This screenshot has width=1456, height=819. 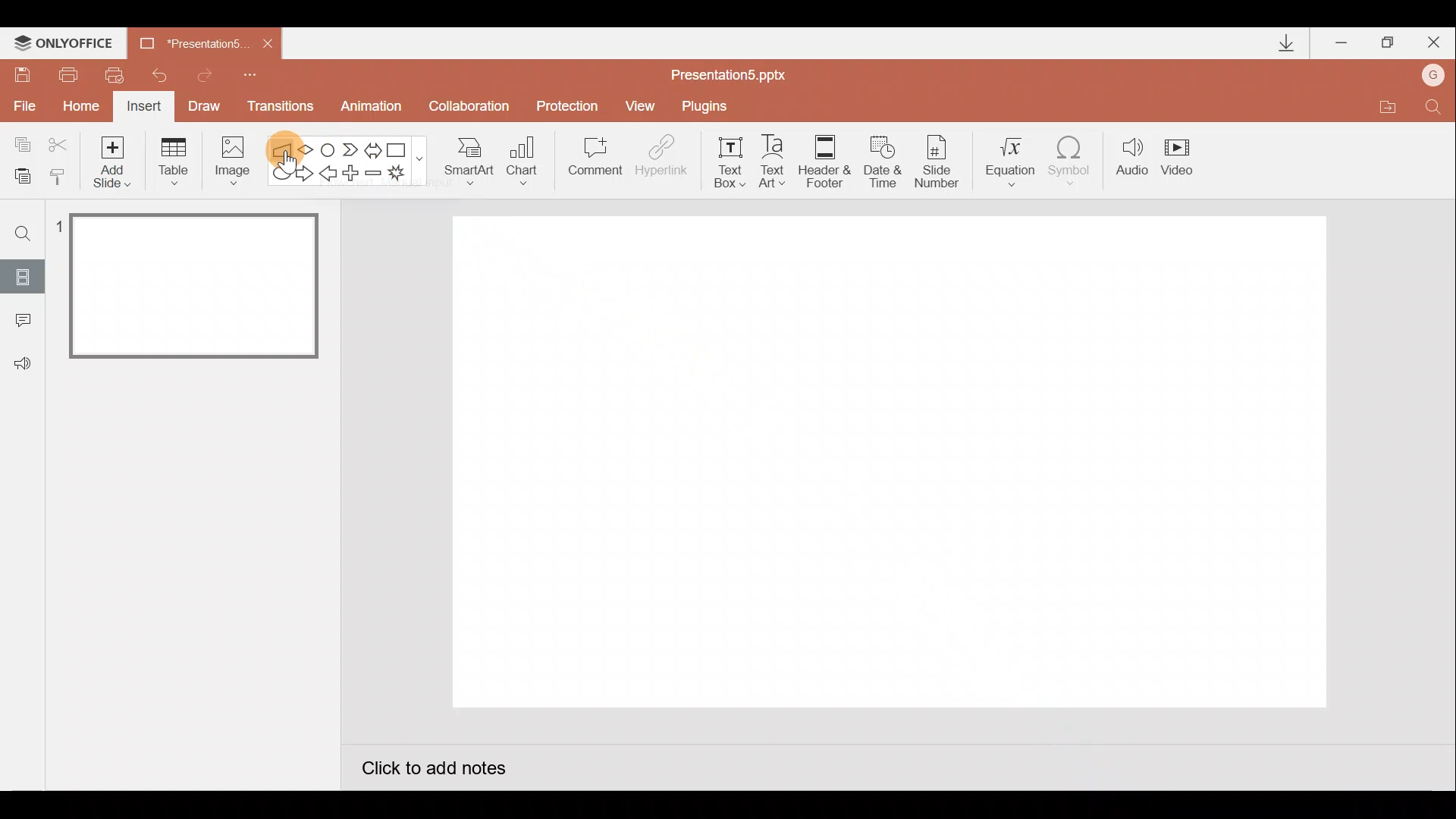 I want to click on Table, so click(x=172, y=160).